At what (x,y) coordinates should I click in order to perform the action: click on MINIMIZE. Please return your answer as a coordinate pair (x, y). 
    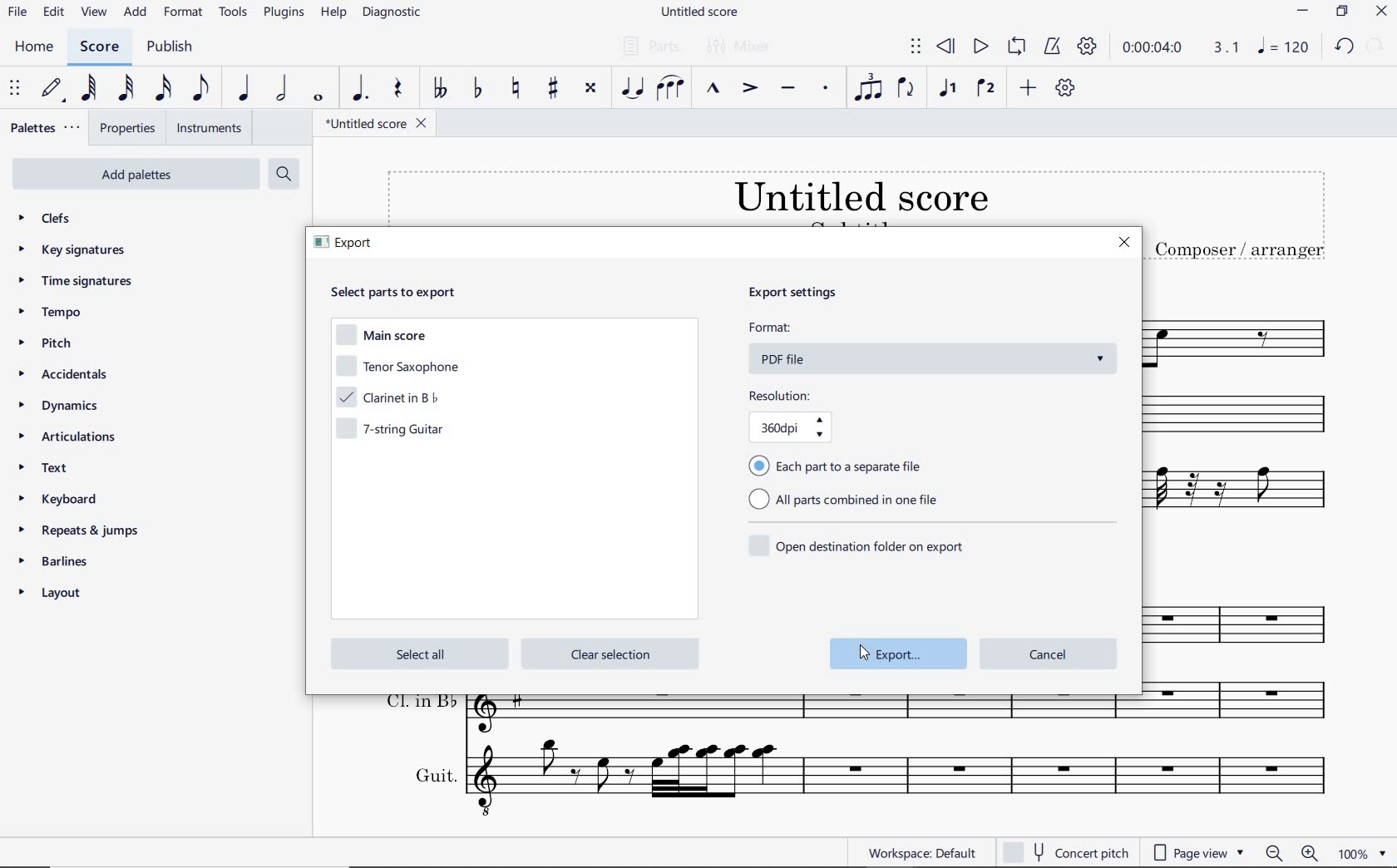
    Looking at the image, I should click on (1302, 12).